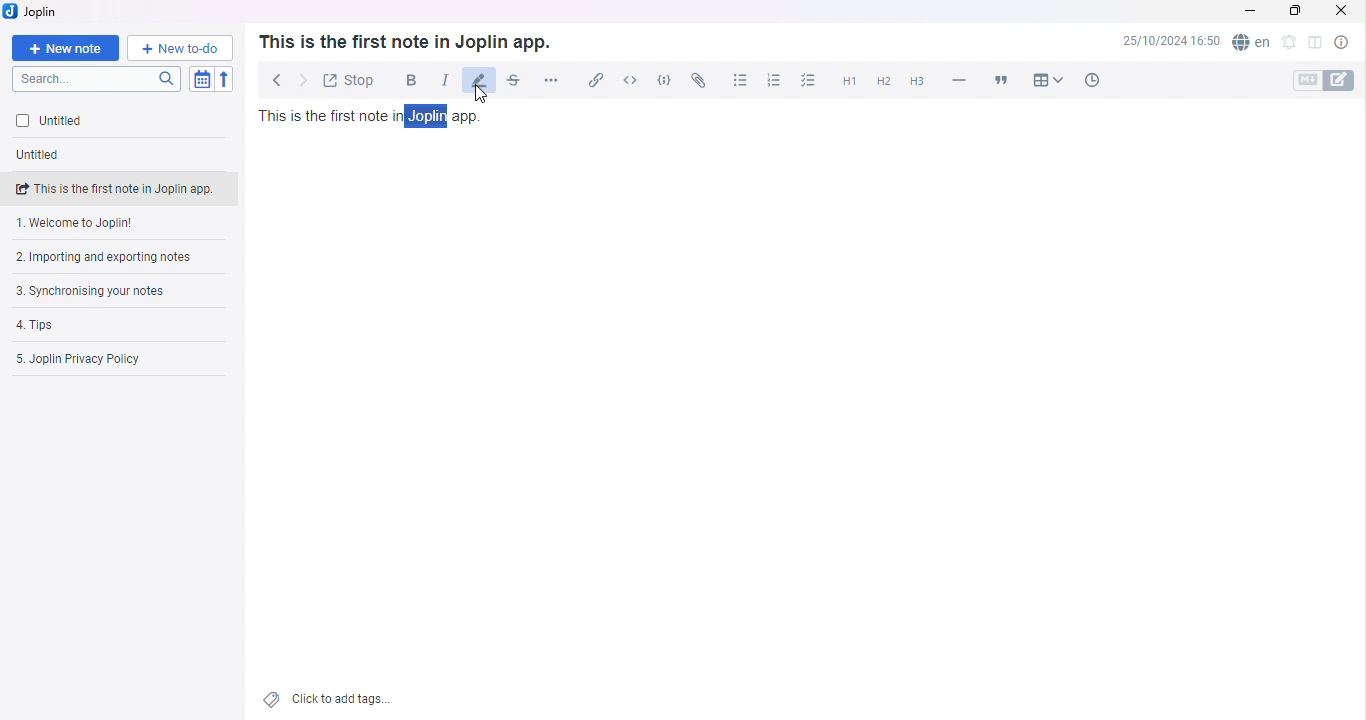 This screenshot has height=720, width=1366. What do you see at coordinates (331, 700) in the screenshot?
I see `Add tags` at bounding box center [331, 700].